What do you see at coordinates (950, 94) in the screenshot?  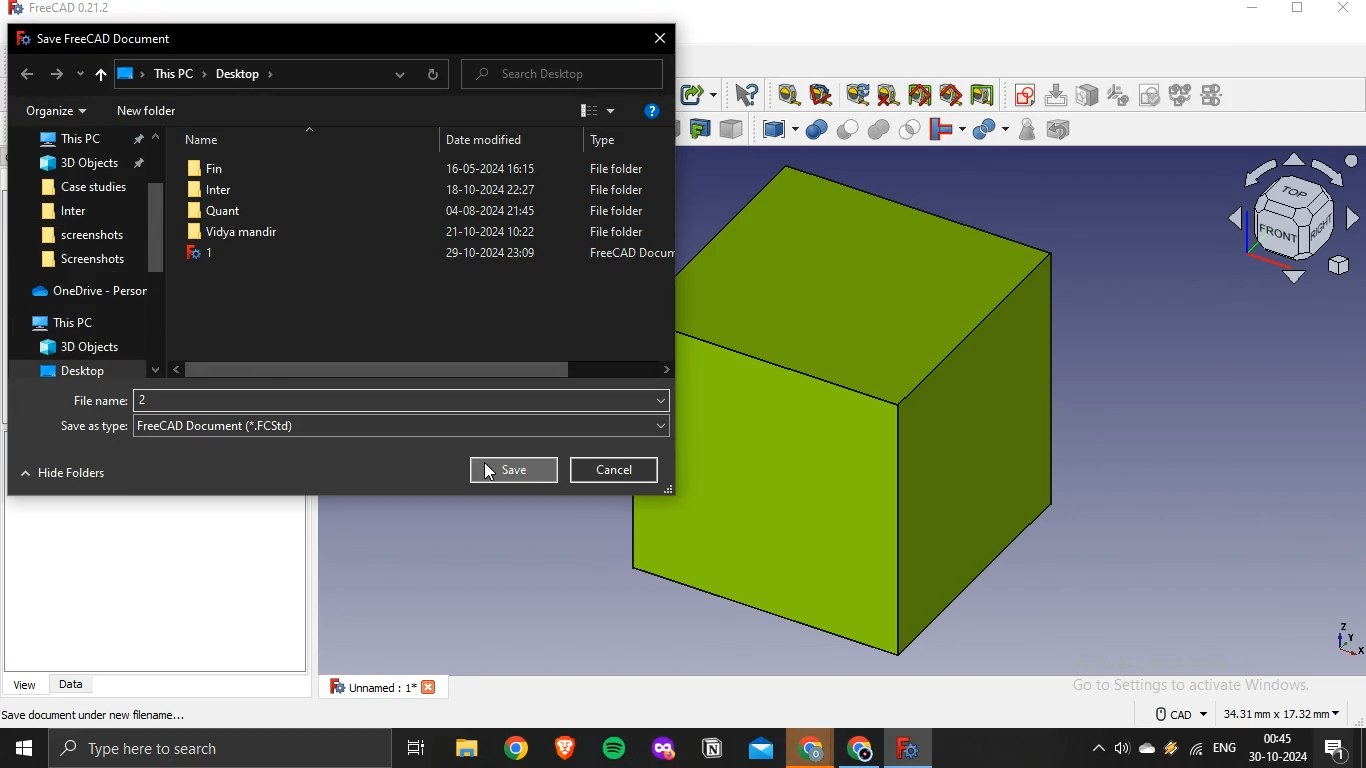 I see `toggle 3d` at bounding box center [950, 94].